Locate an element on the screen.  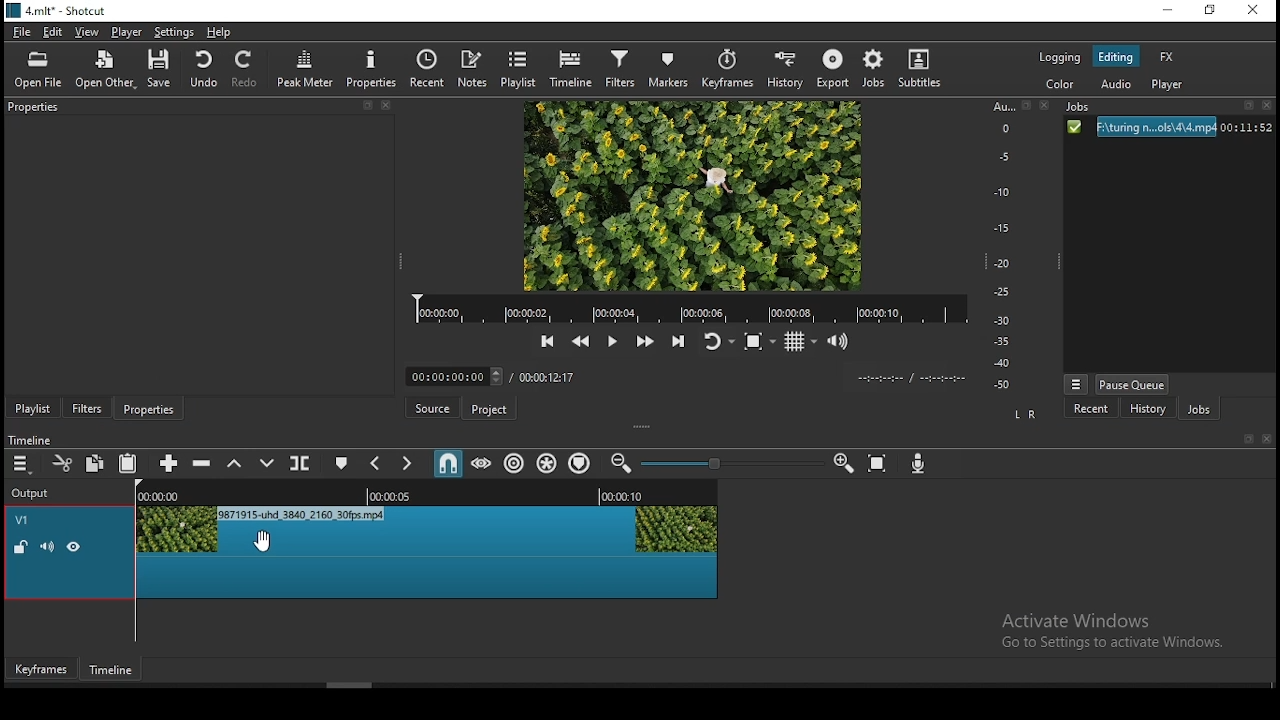
4.mlt - Shotcut is located at coordinates (59, 11).